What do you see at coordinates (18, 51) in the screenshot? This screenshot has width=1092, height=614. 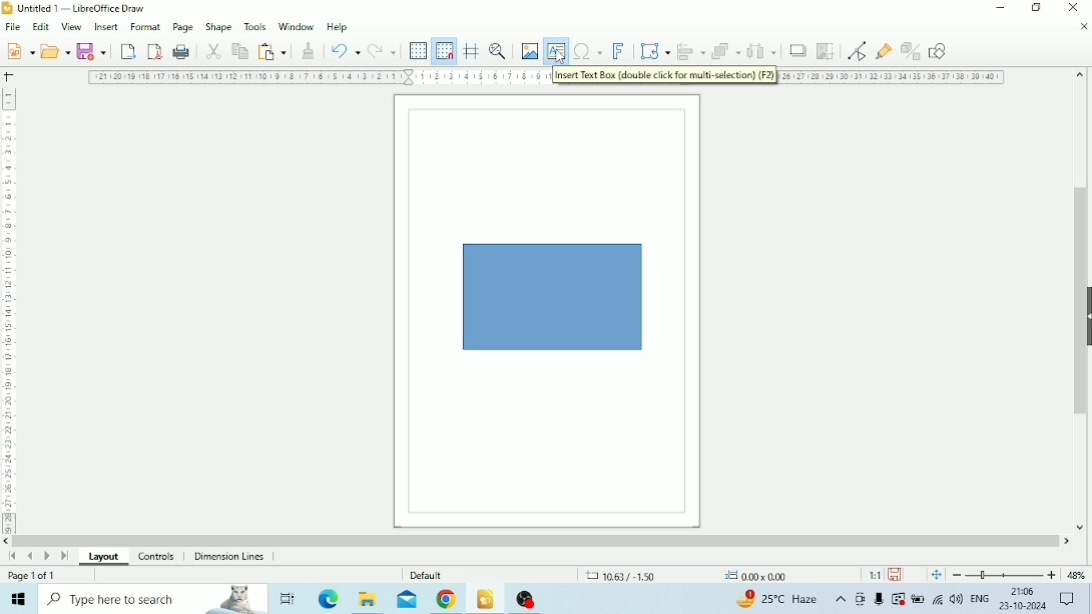 I see `New` at bounding box center [18, 51].